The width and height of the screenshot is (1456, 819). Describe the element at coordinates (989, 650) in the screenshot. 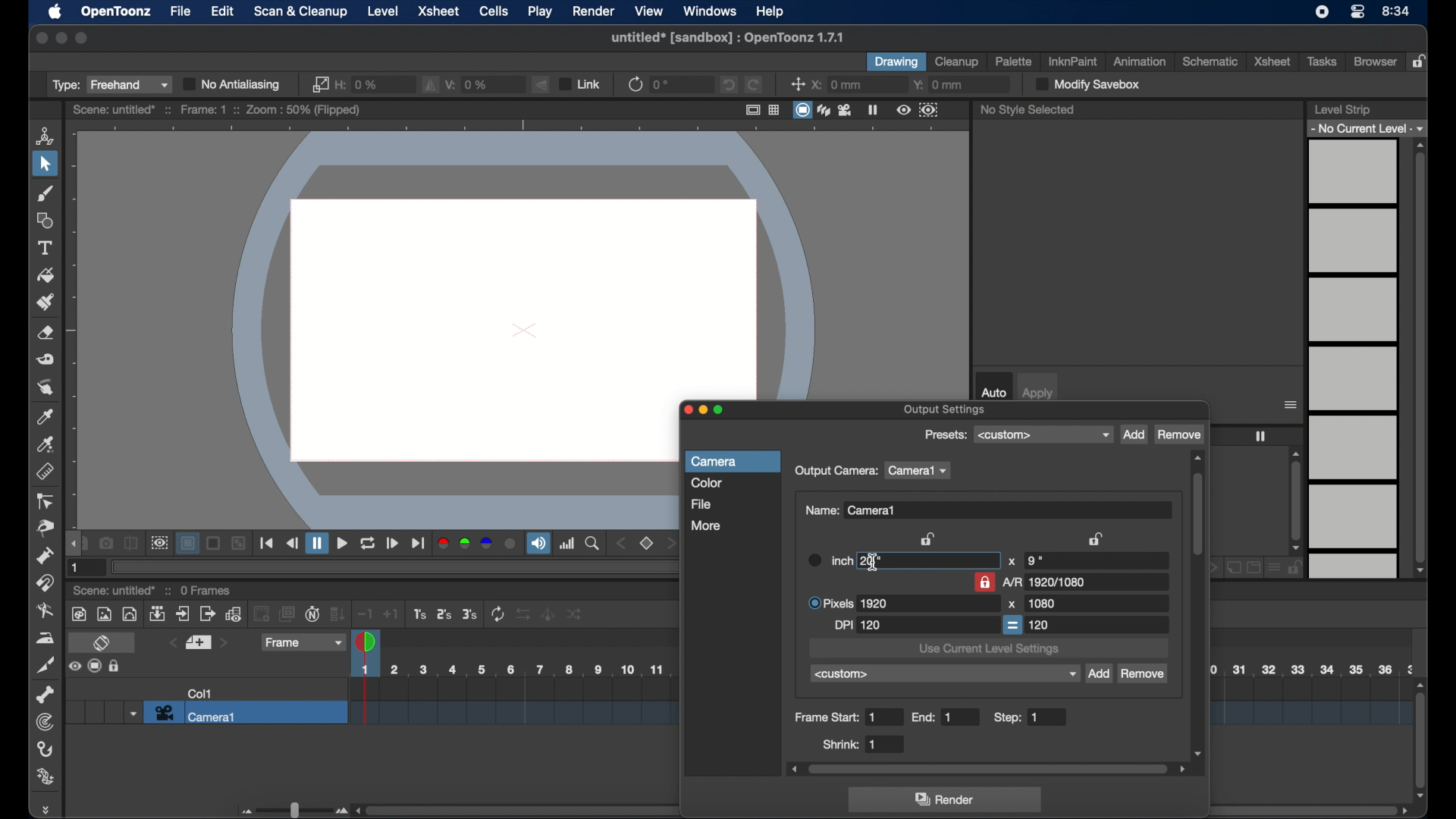

I see `use current level settings` at that location.